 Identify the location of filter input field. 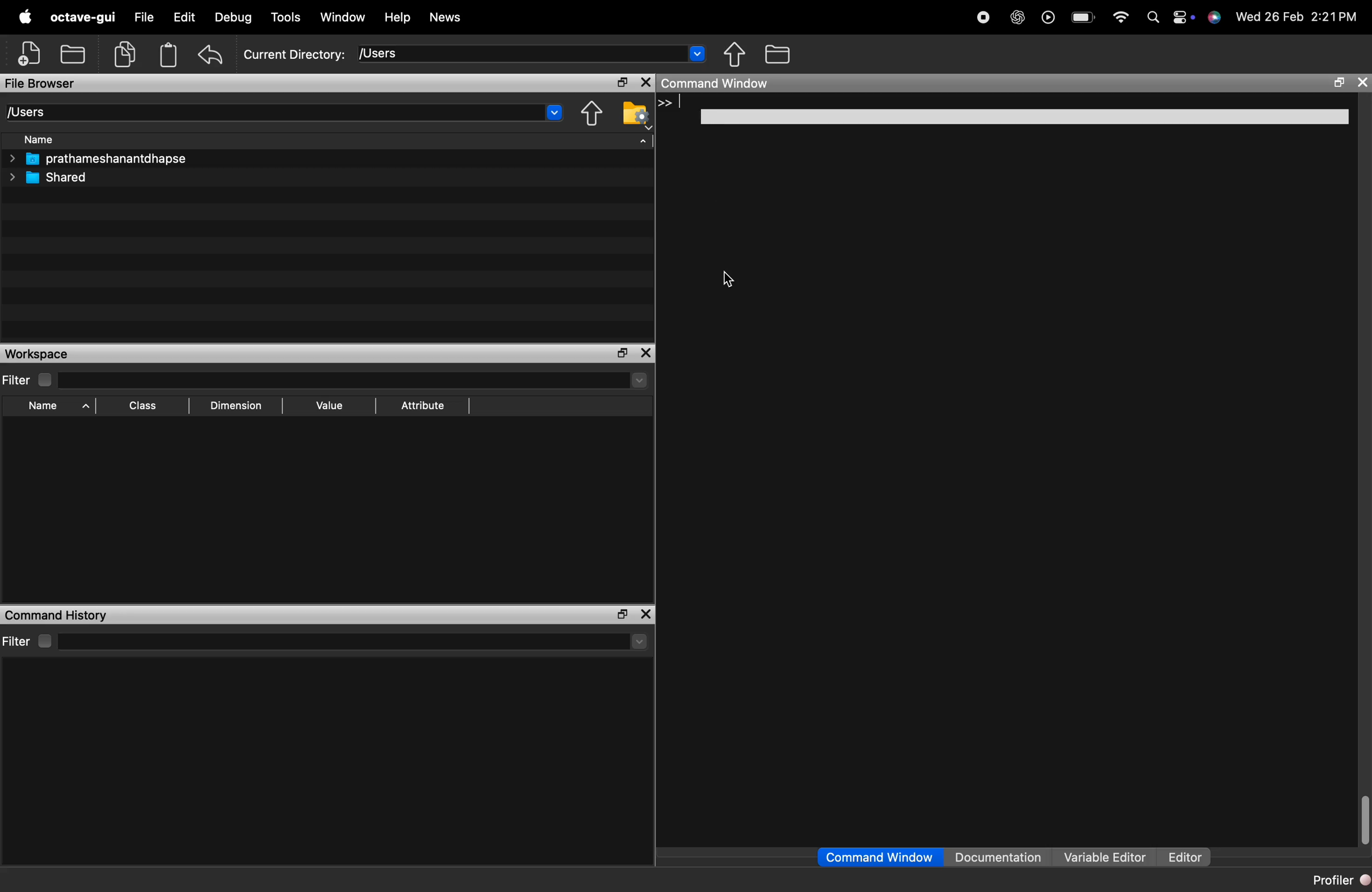
(342, 642).